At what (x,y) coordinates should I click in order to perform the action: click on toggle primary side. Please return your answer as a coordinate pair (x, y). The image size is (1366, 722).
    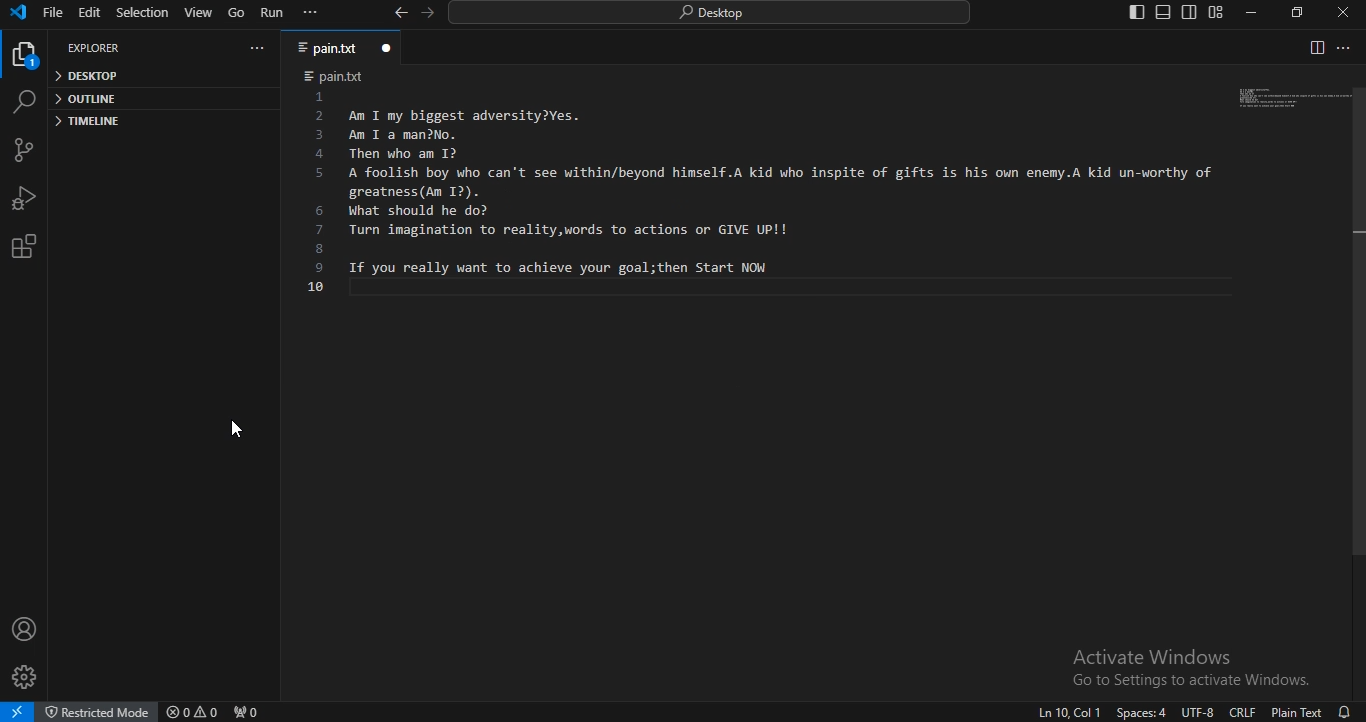
    Looking at the image, I should click on (1139, 13).